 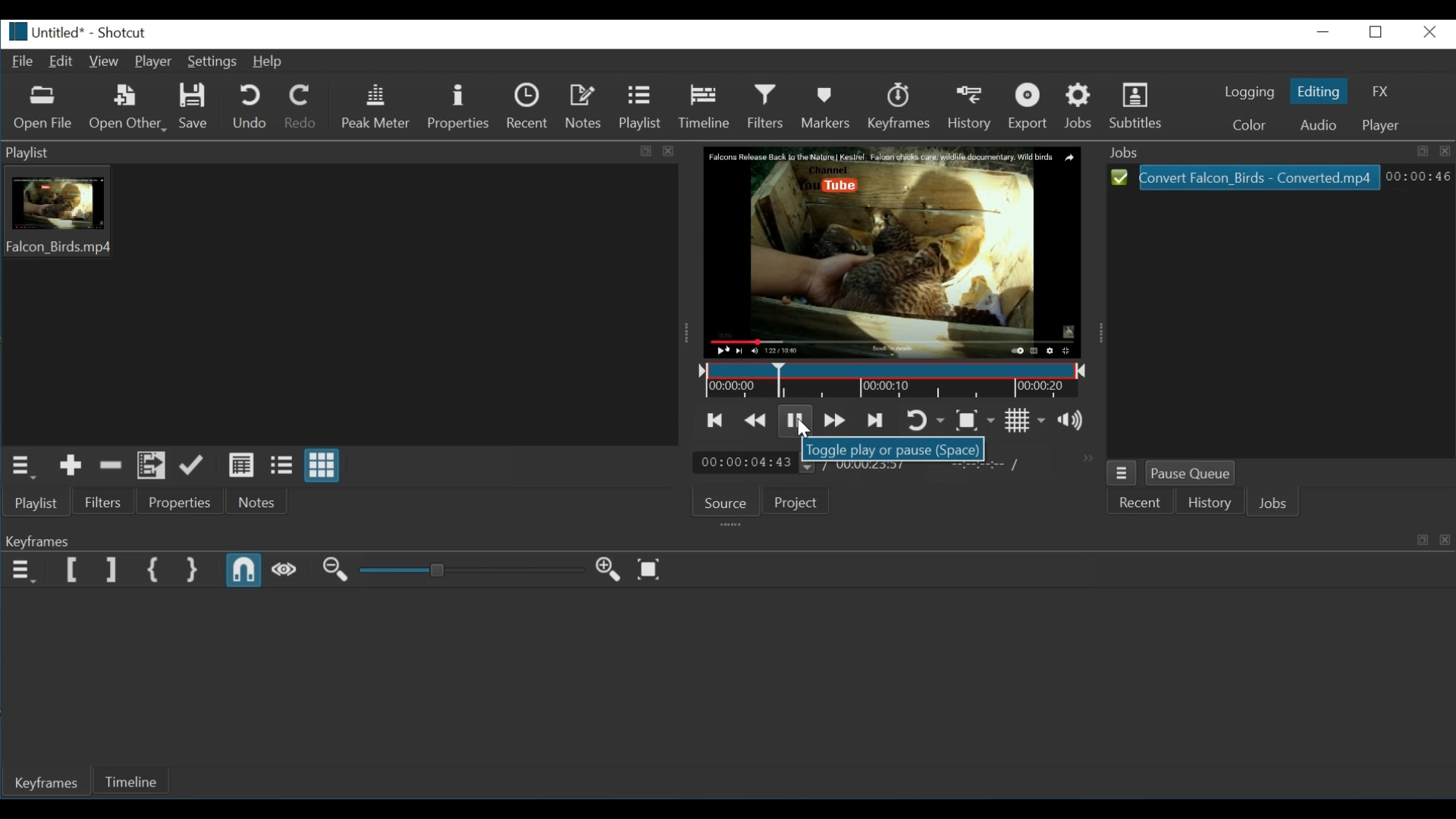 I want to click on Pause Queue, so click(x=1195, y=472).